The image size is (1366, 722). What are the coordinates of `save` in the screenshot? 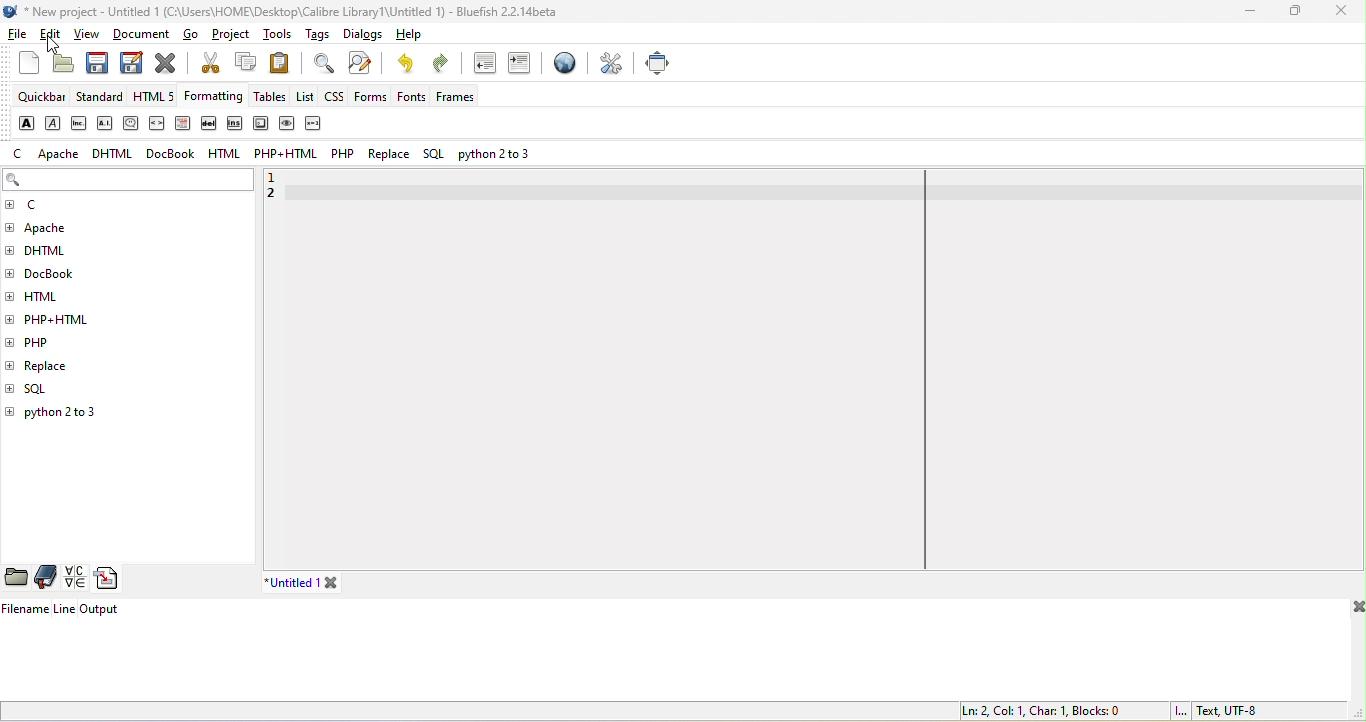 It's located at (97, 63).